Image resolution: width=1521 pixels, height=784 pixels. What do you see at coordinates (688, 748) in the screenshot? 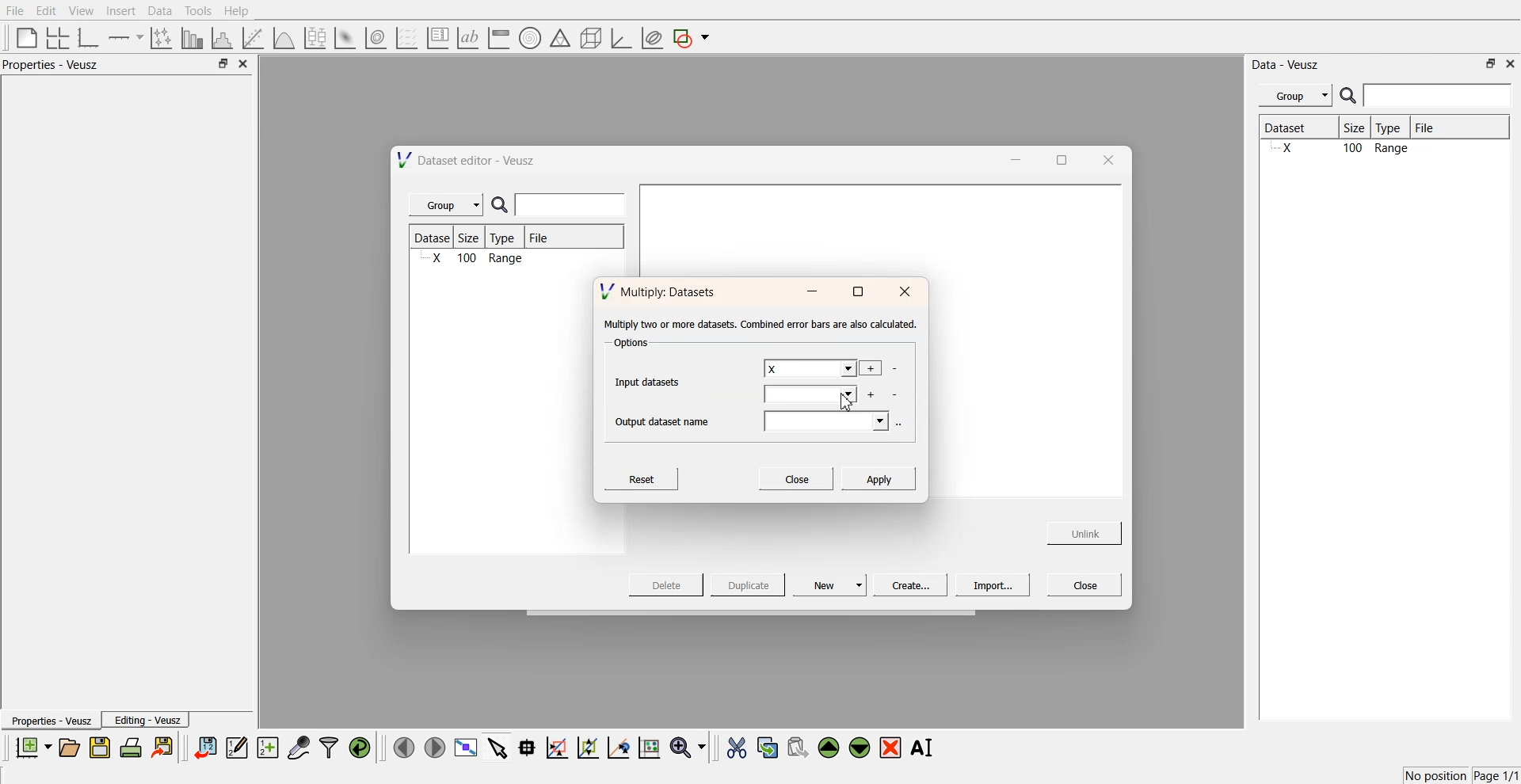
I see `zoom funtions` at bounding box center [688, 748].